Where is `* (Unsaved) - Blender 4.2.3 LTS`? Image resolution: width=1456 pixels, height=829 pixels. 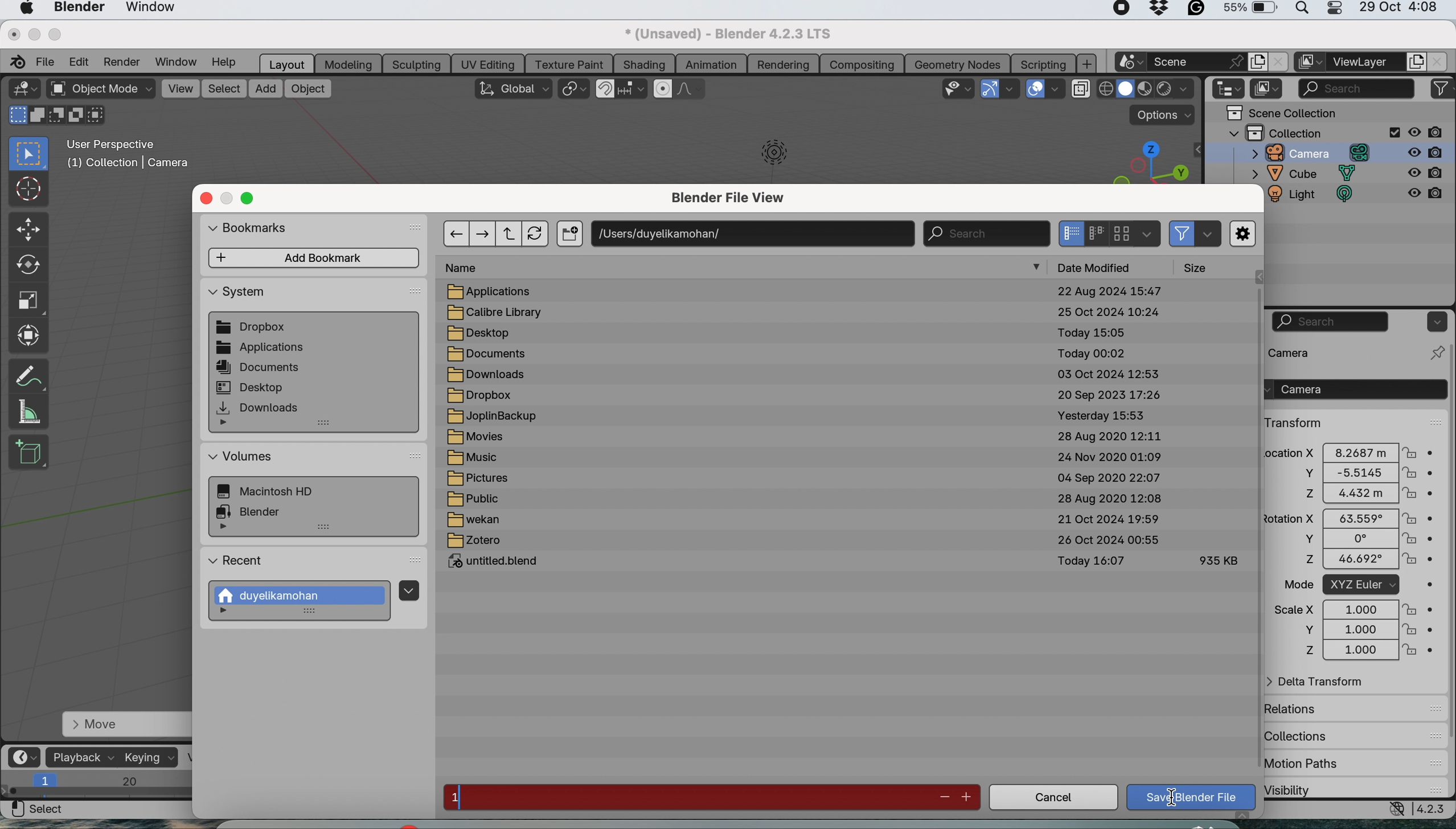 * (Unsaved) - Blender 4.2.3 LTS is located at coordinates (727, 32).